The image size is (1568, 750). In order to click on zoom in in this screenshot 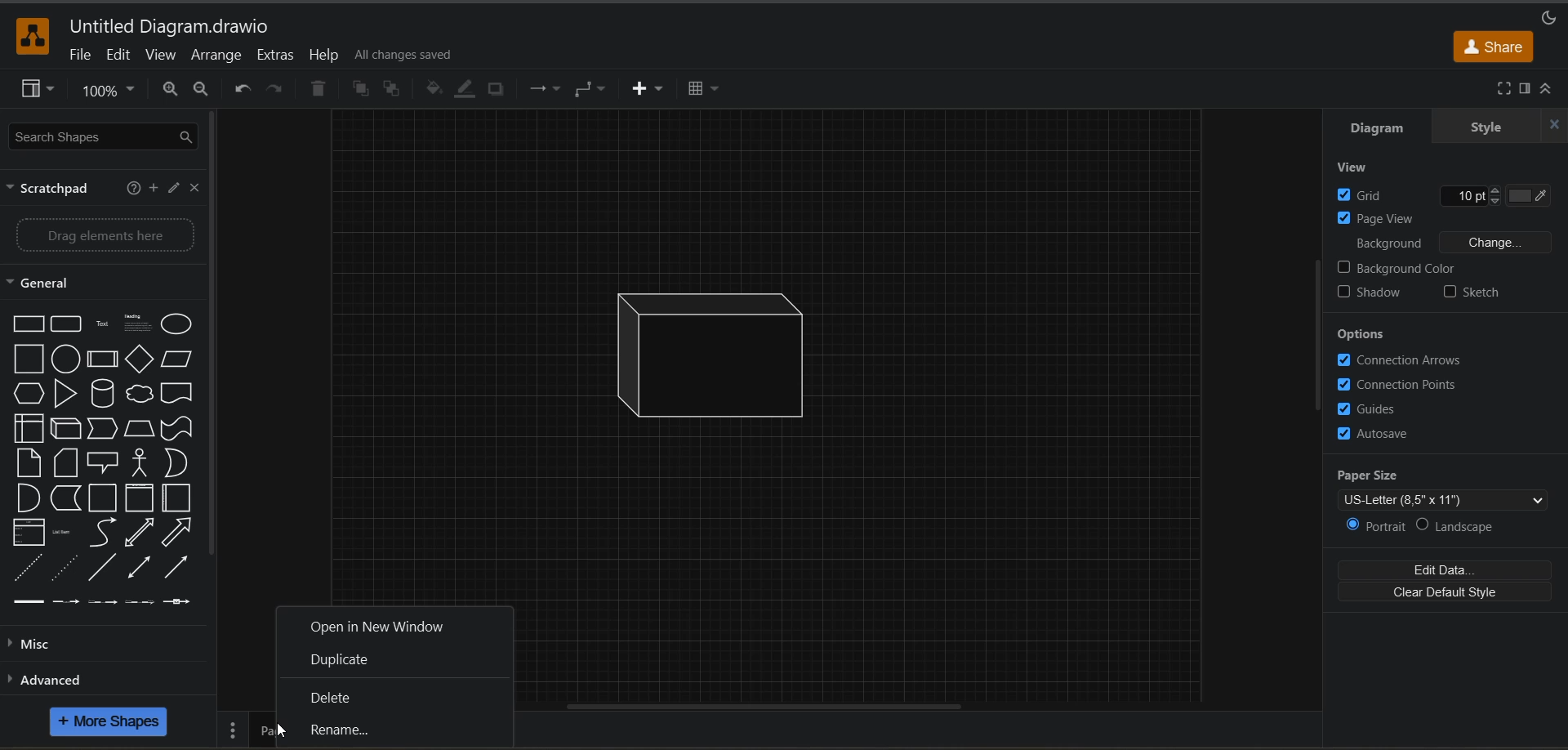, I will do `click(171, 91)`.